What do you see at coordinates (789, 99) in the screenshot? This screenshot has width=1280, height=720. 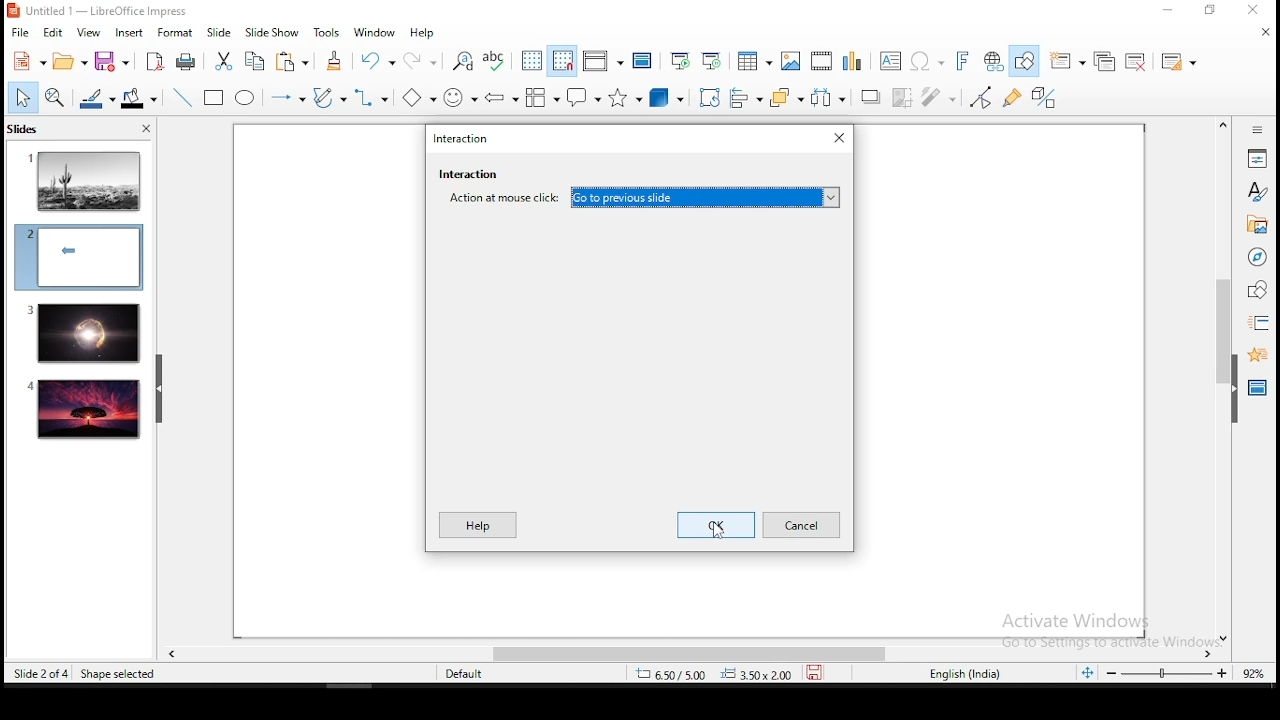 I see `arrange` at bounding box center [789, 99].